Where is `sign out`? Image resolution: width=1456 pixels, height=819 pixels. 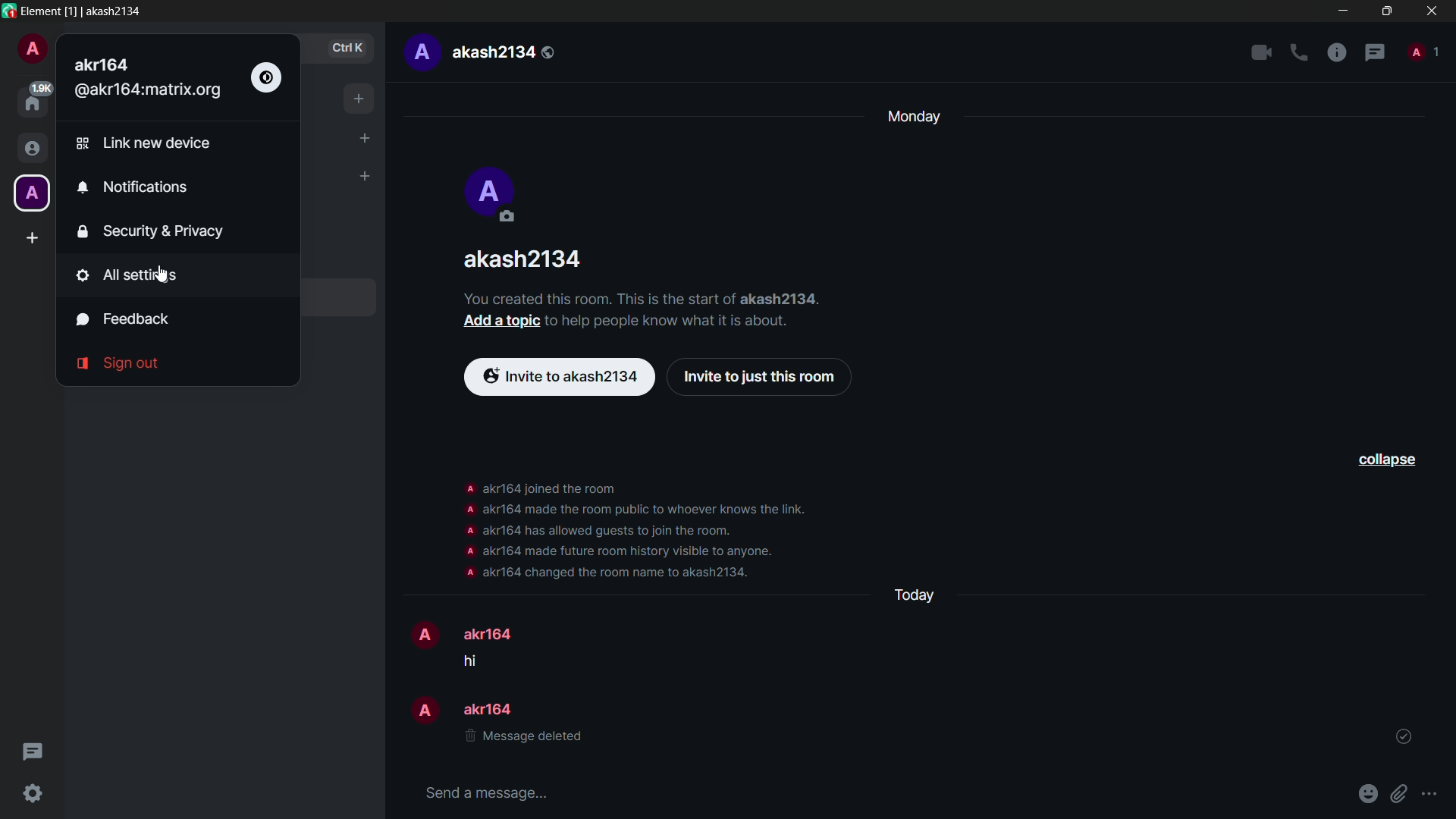 sign out is located at coordinates (118, 364).